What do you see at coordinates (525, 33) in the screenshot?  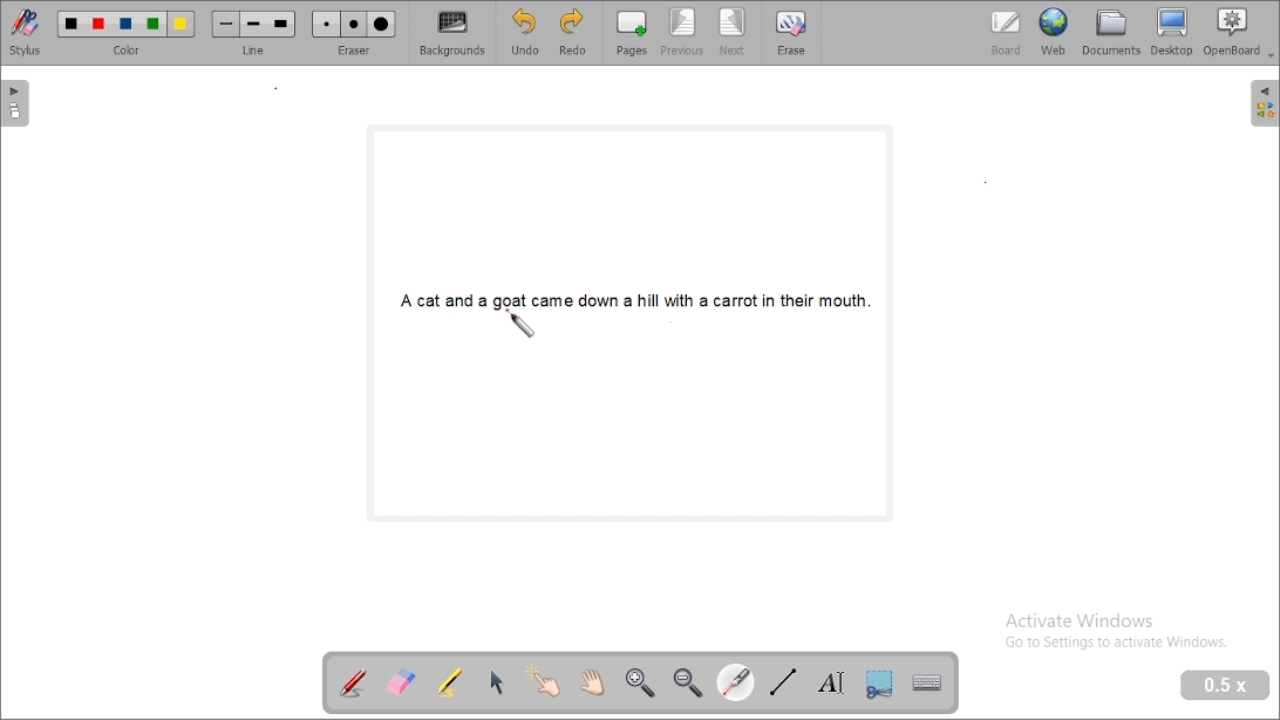 I see `undo` at bounding box center [525, 33].